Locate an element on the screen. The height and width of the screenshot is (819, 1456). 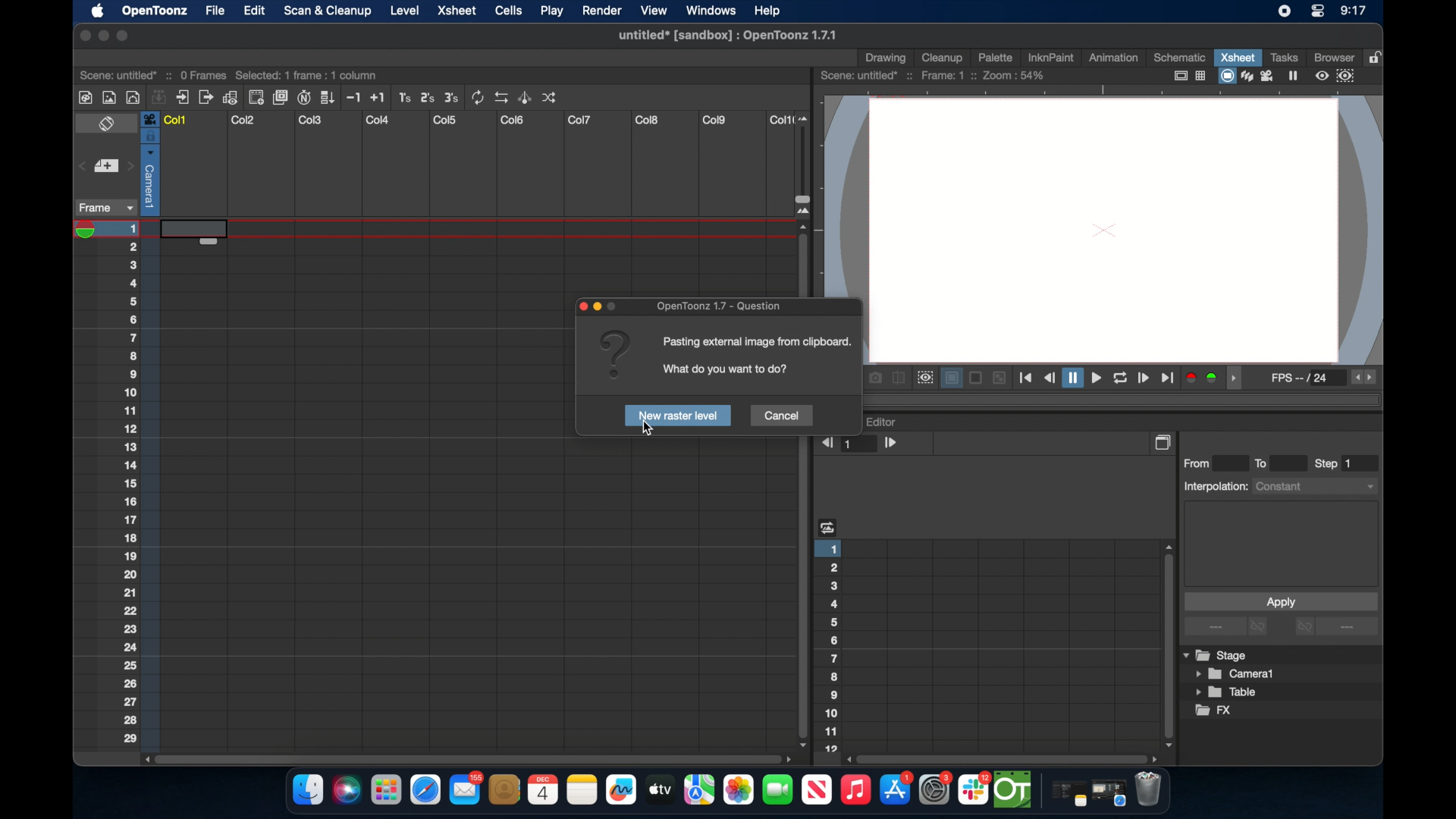
columns is located at coordinates (477, 120).